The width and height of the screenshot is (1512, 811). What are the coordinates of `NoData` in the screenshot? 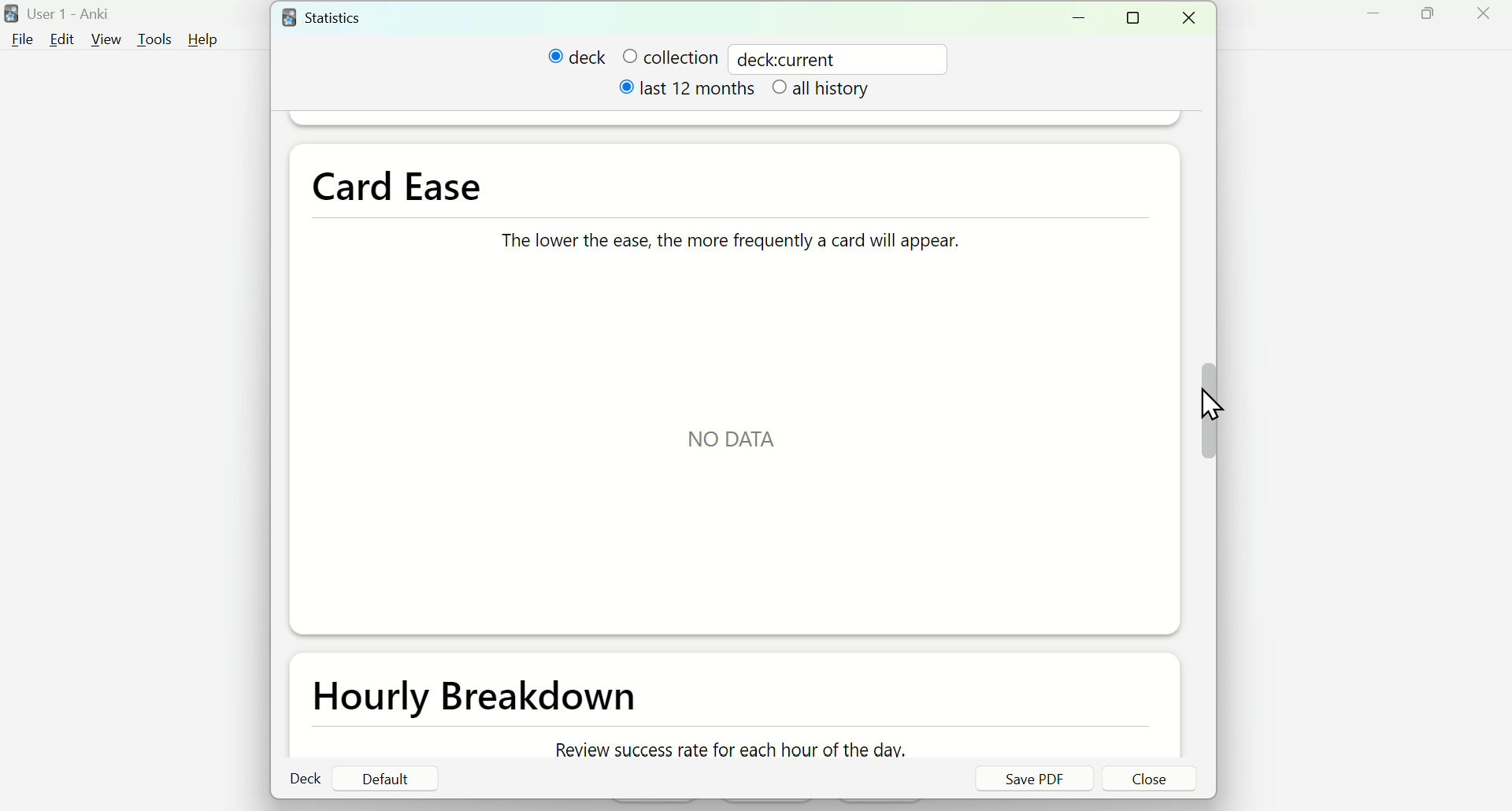 It's located at (736, 440).